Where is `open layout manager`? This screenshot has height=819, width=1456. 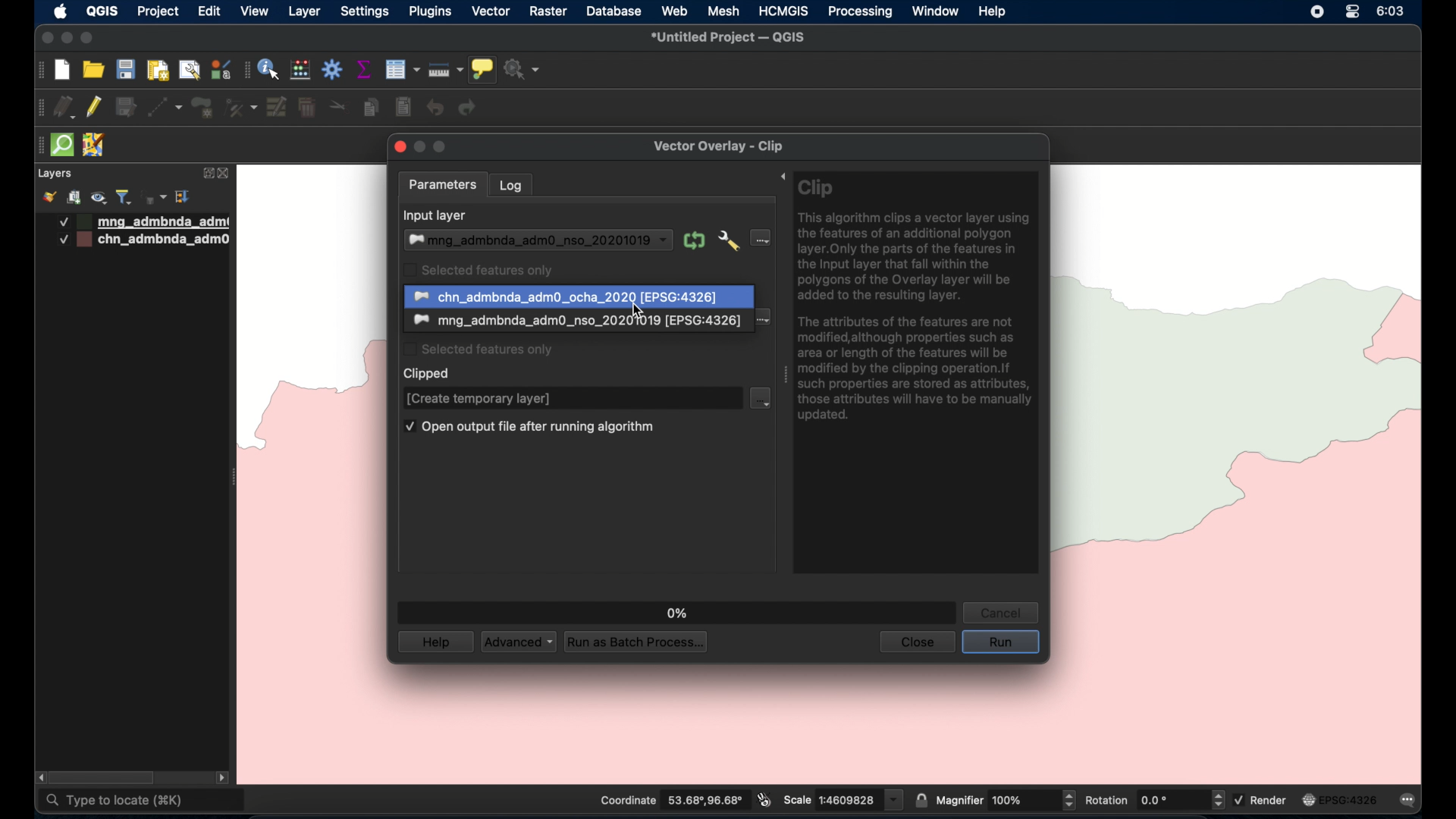
open layout manager is located at coordinates (189, 71).